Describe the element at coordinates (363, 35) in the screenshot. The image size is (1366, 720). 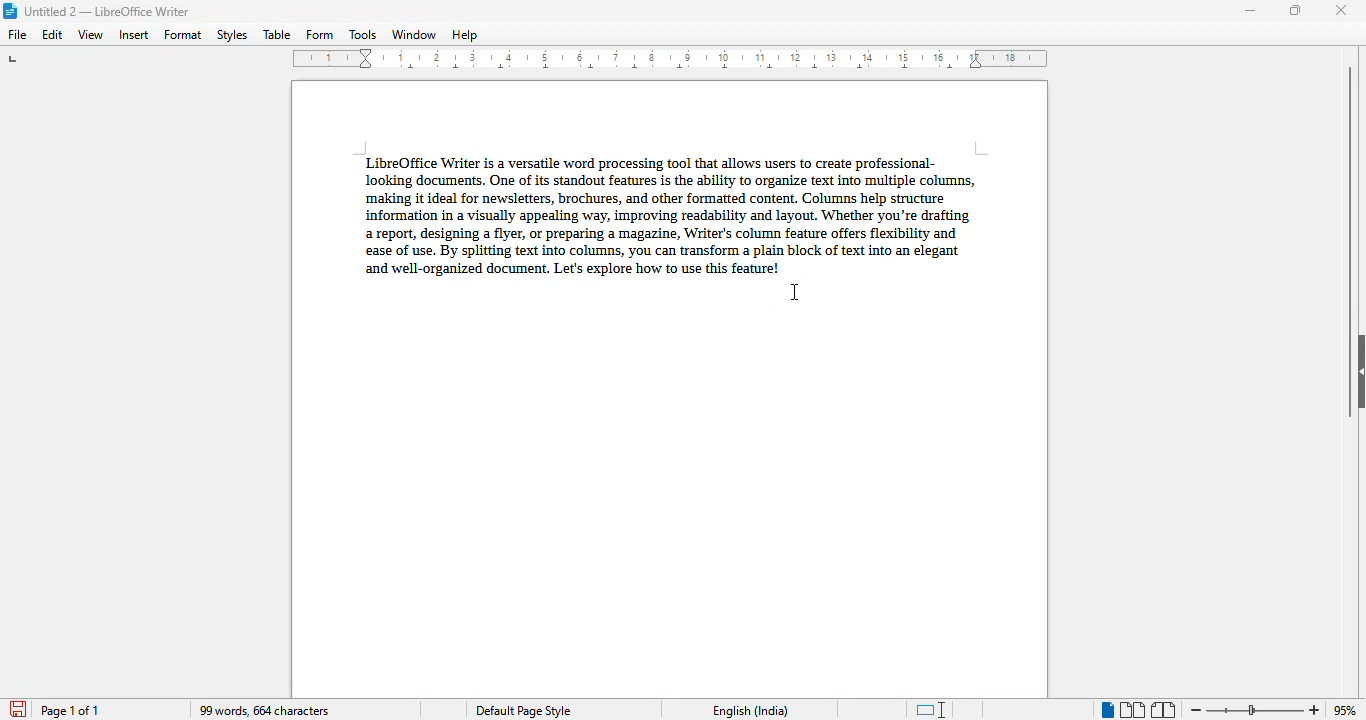
I see `tools` at that location.